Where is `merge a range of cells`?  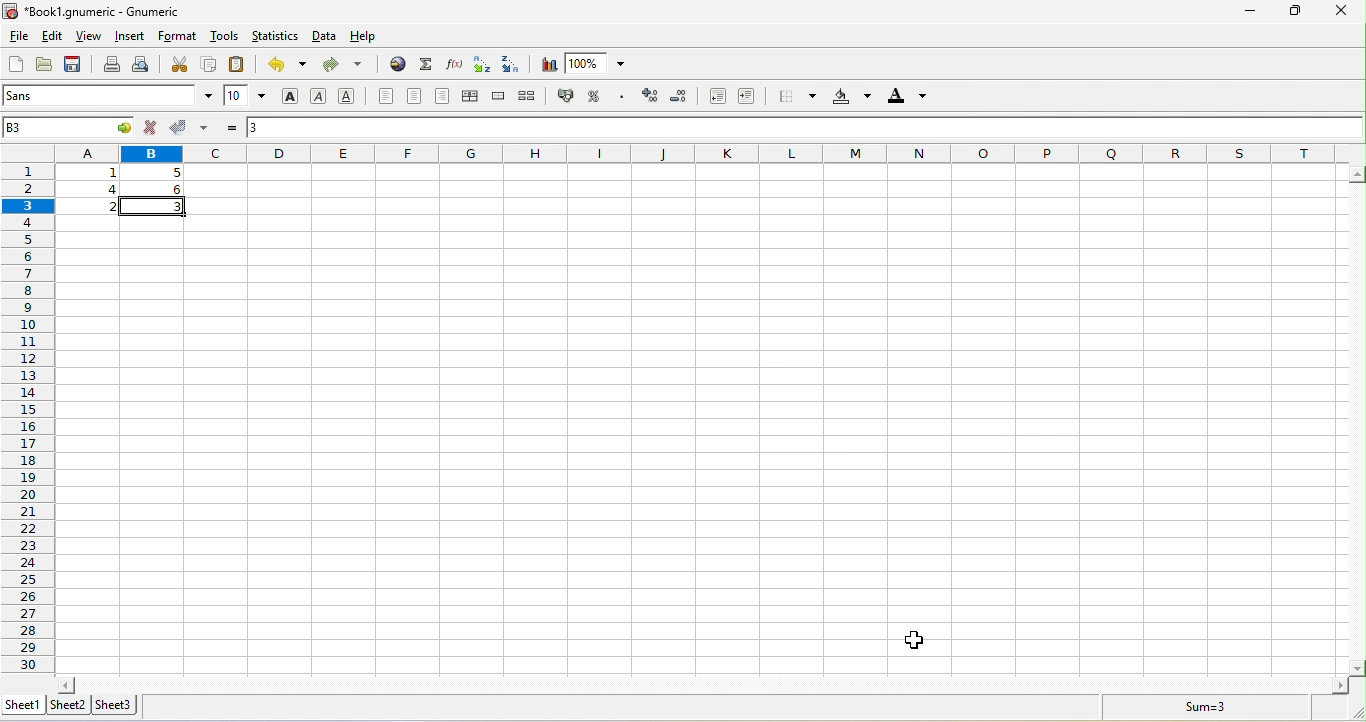 merge a range of cells is located at coordinates (501, 99).